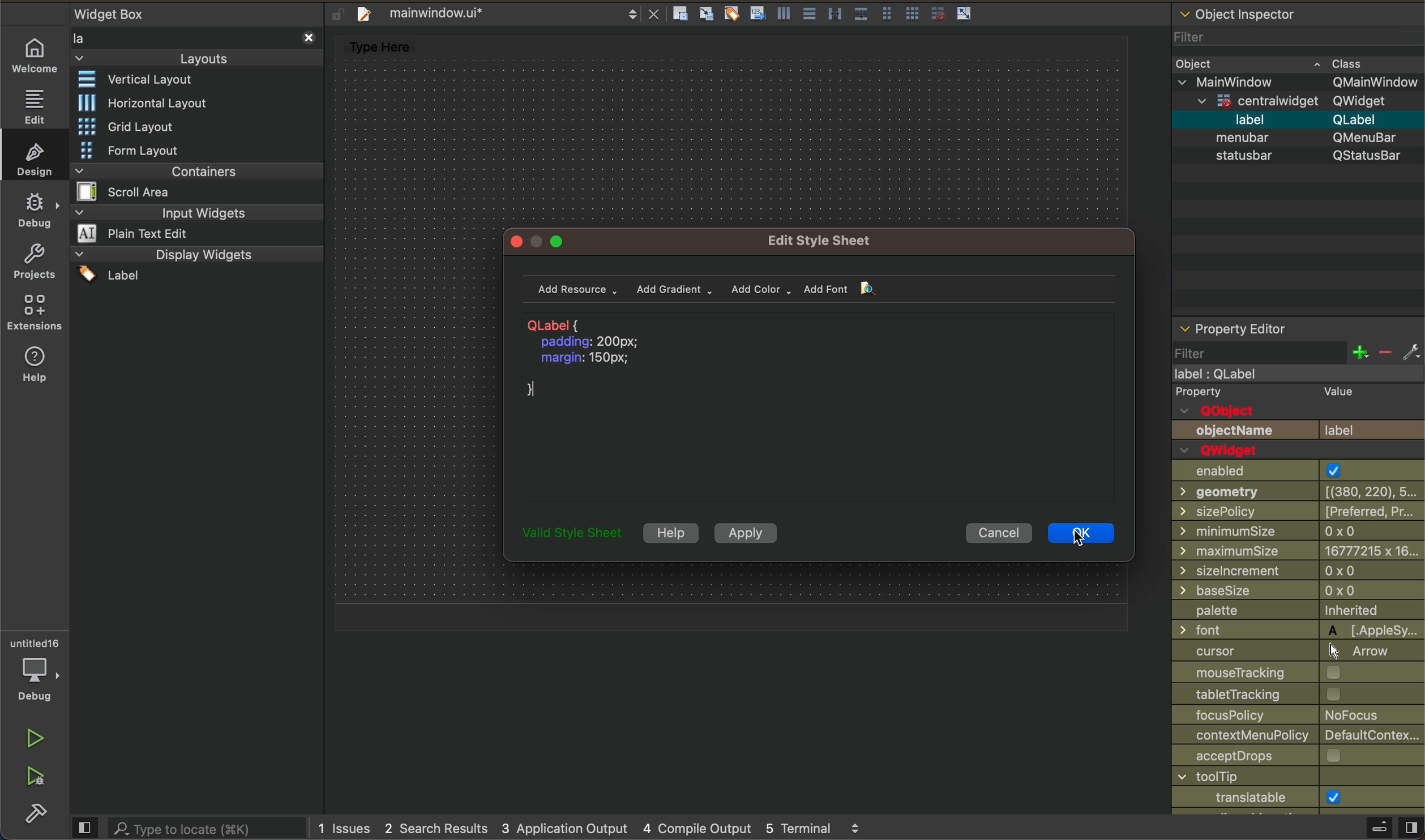  Describe the element at coordinates (189, 826) in the screenshot. I see `search` at that location.